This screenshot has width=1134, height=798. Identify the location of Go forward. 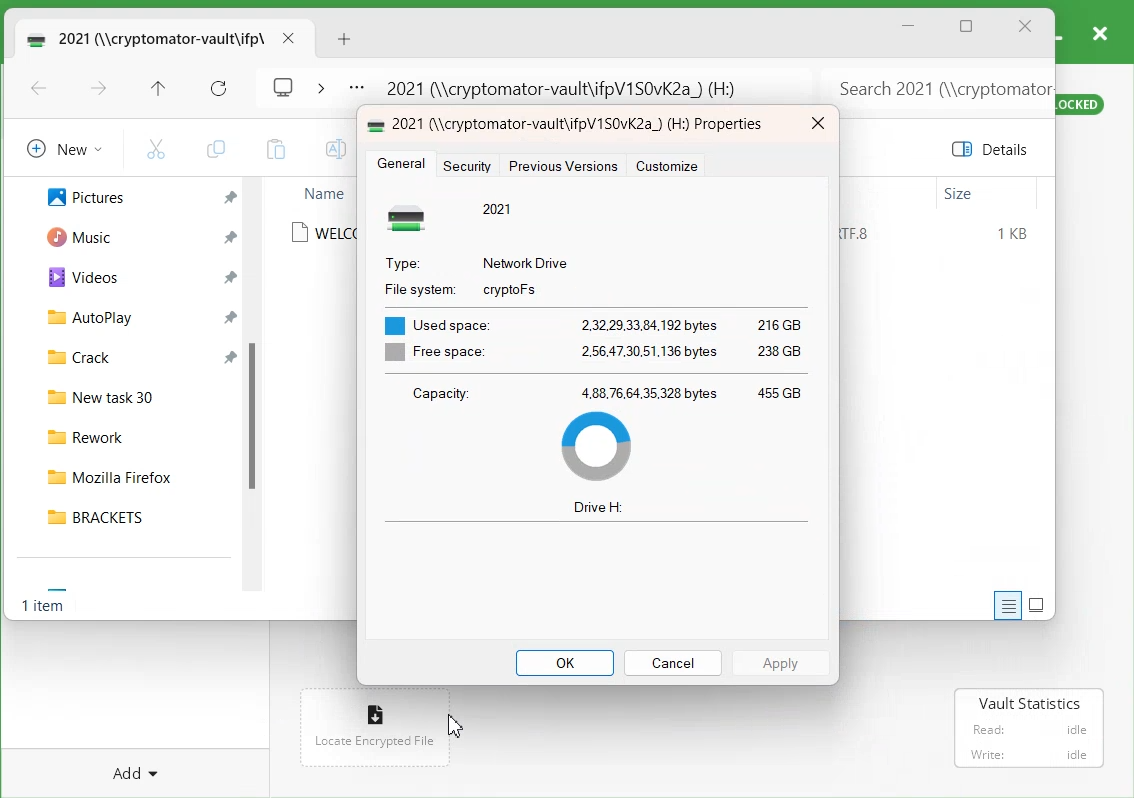
(99, 90).